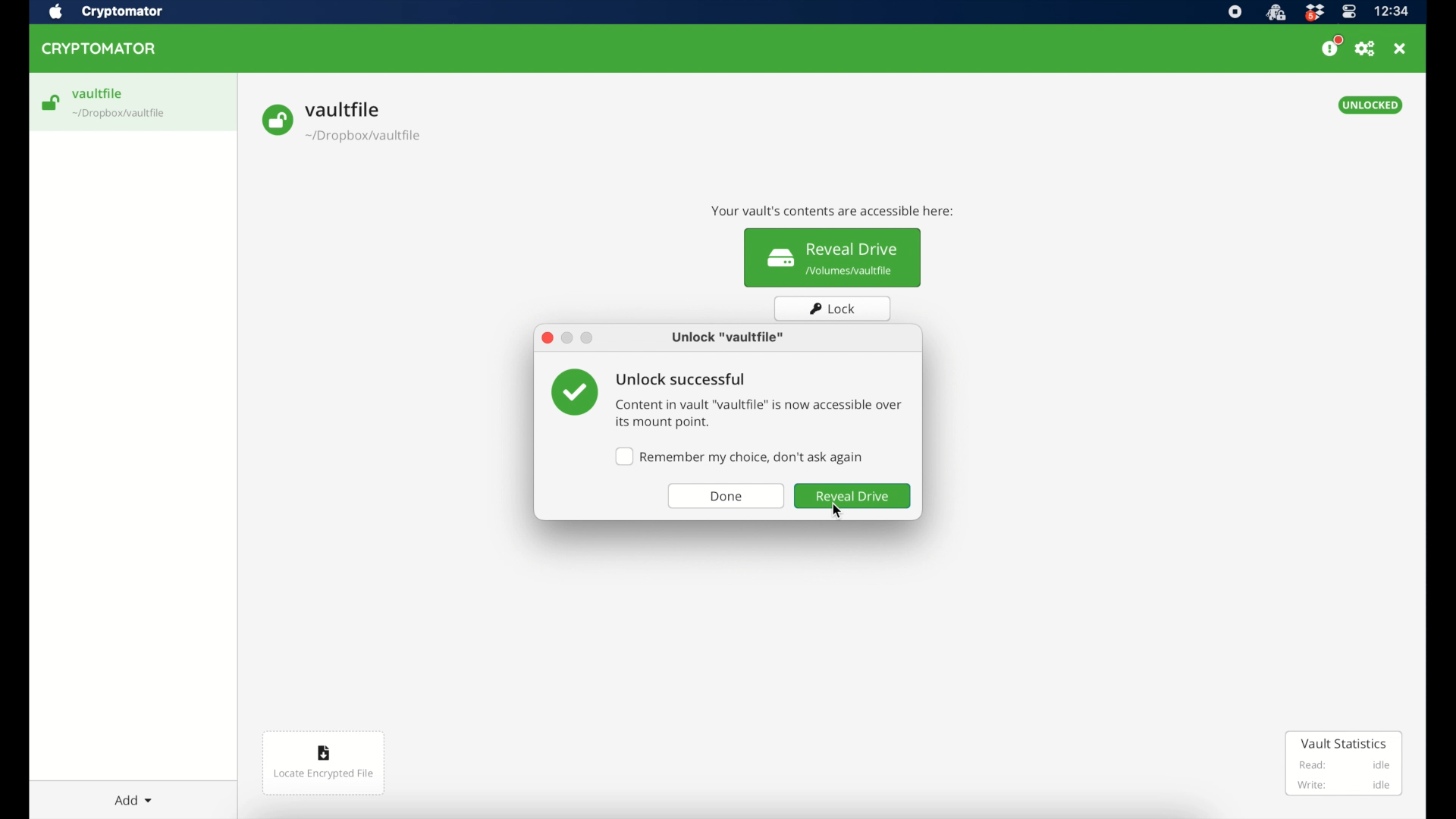 The width and height of the screenshot is (1456, 819). Describe the element at coordinates (1393, 11) in the screenshot. I see `time` at that location.